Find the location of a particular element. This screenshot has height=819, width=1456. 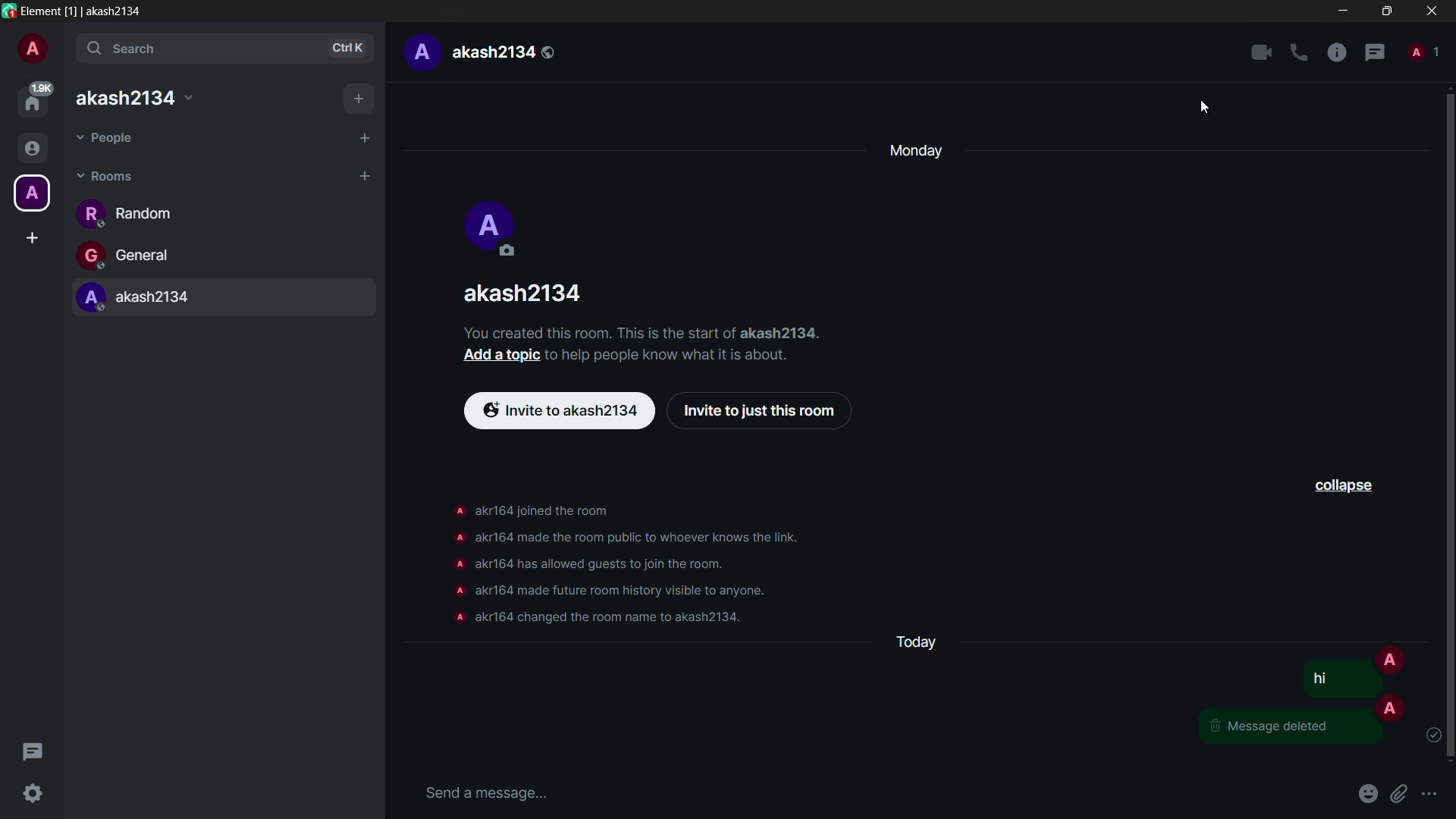

to help people know what it is about. is located at coordinates (682, 356).